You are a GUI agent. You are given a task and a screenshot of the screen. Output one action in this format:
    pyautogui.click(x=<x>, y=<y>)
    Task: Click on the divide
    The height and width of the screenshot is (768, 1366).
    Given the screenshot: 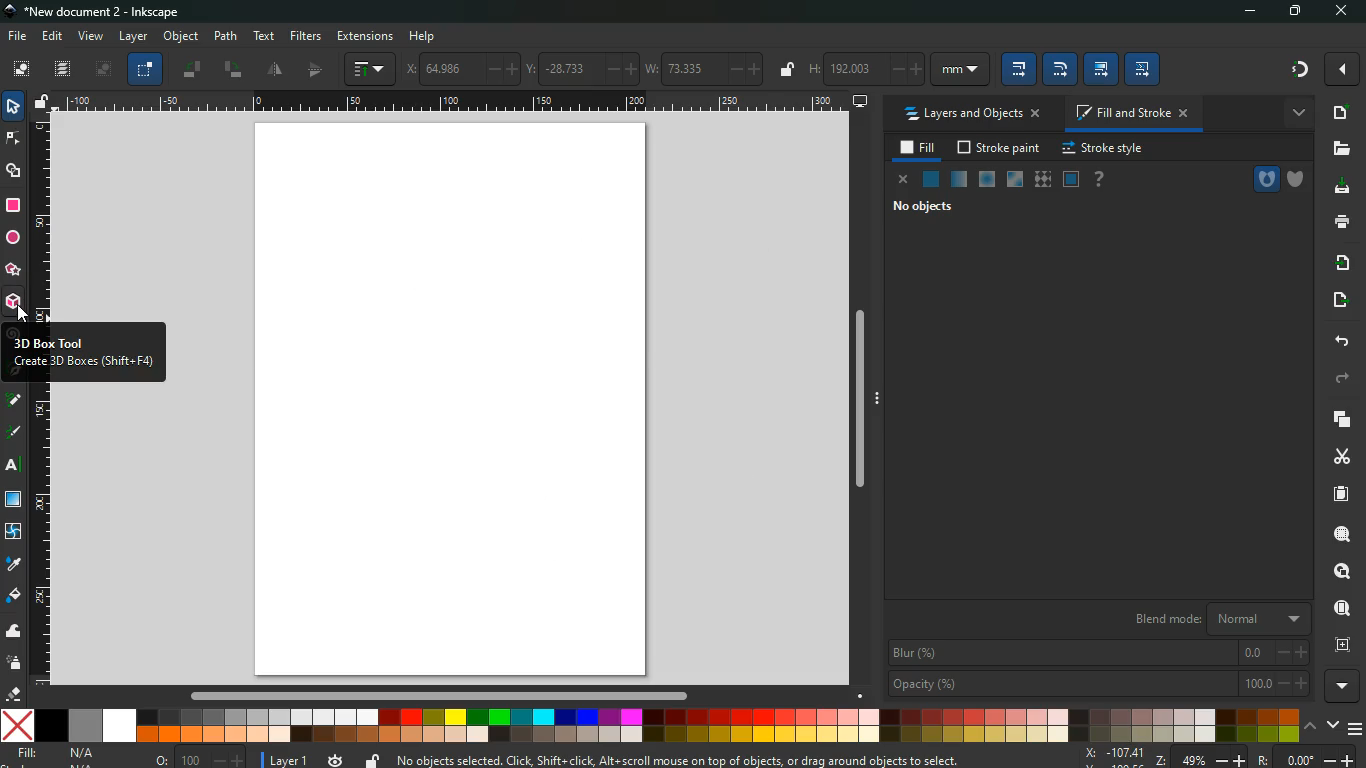 What is the action you would take?
    pyautogui.click(x=277, y=69)
    